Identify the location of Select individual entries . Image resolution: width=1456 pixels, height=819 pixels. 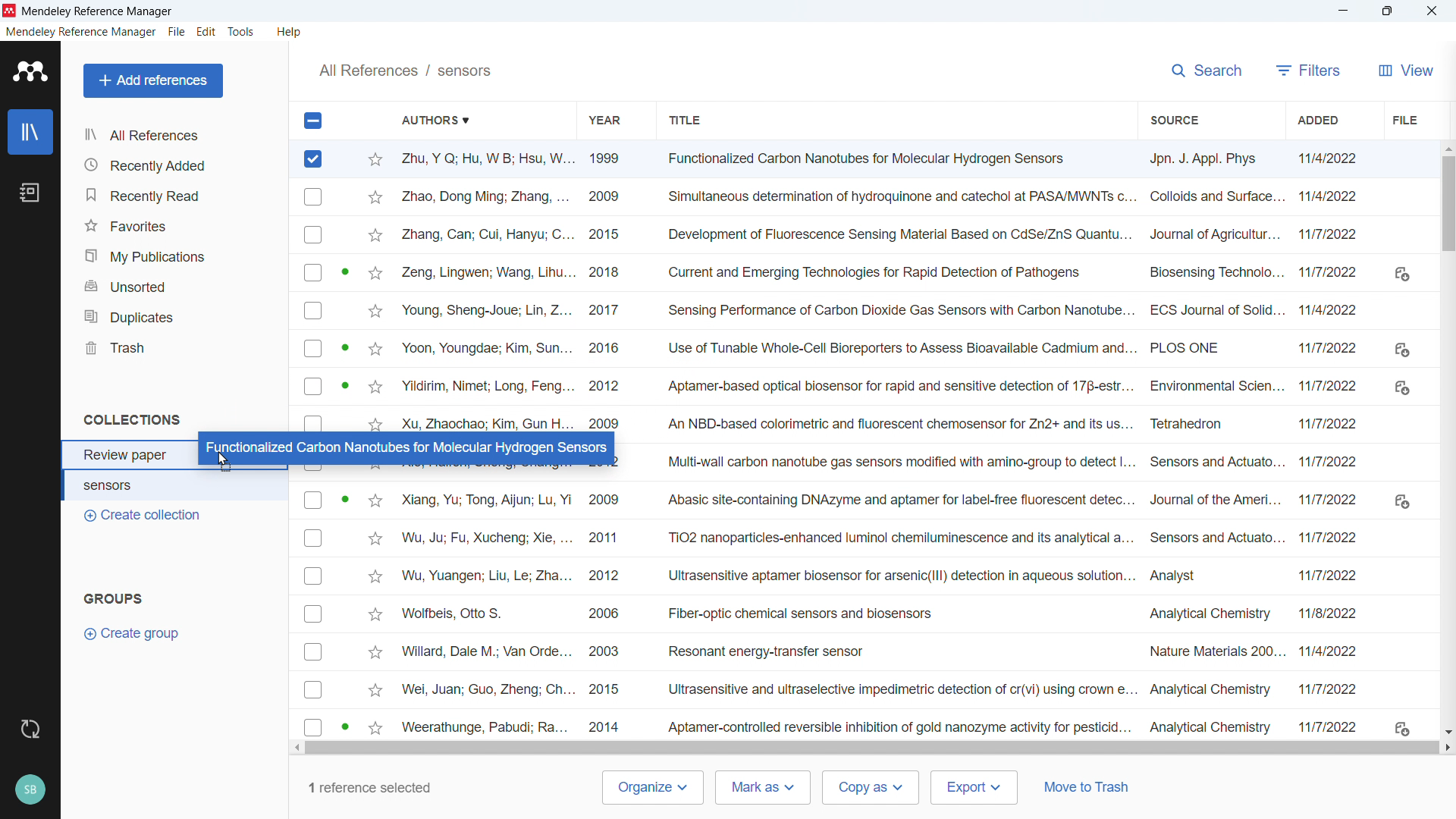
(312, 304).